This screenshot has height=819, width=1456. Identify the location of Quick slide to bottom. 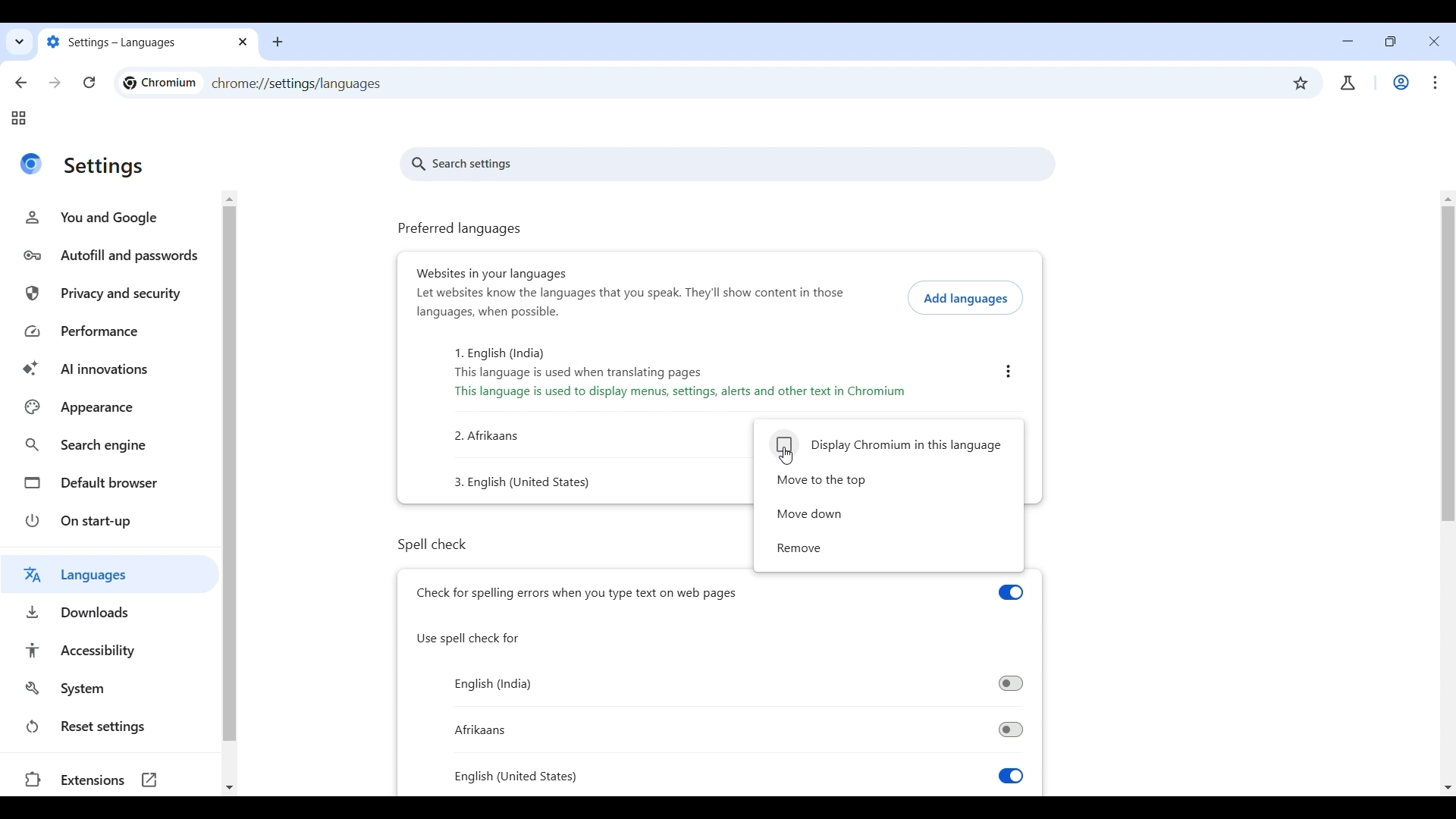
(229, 788).